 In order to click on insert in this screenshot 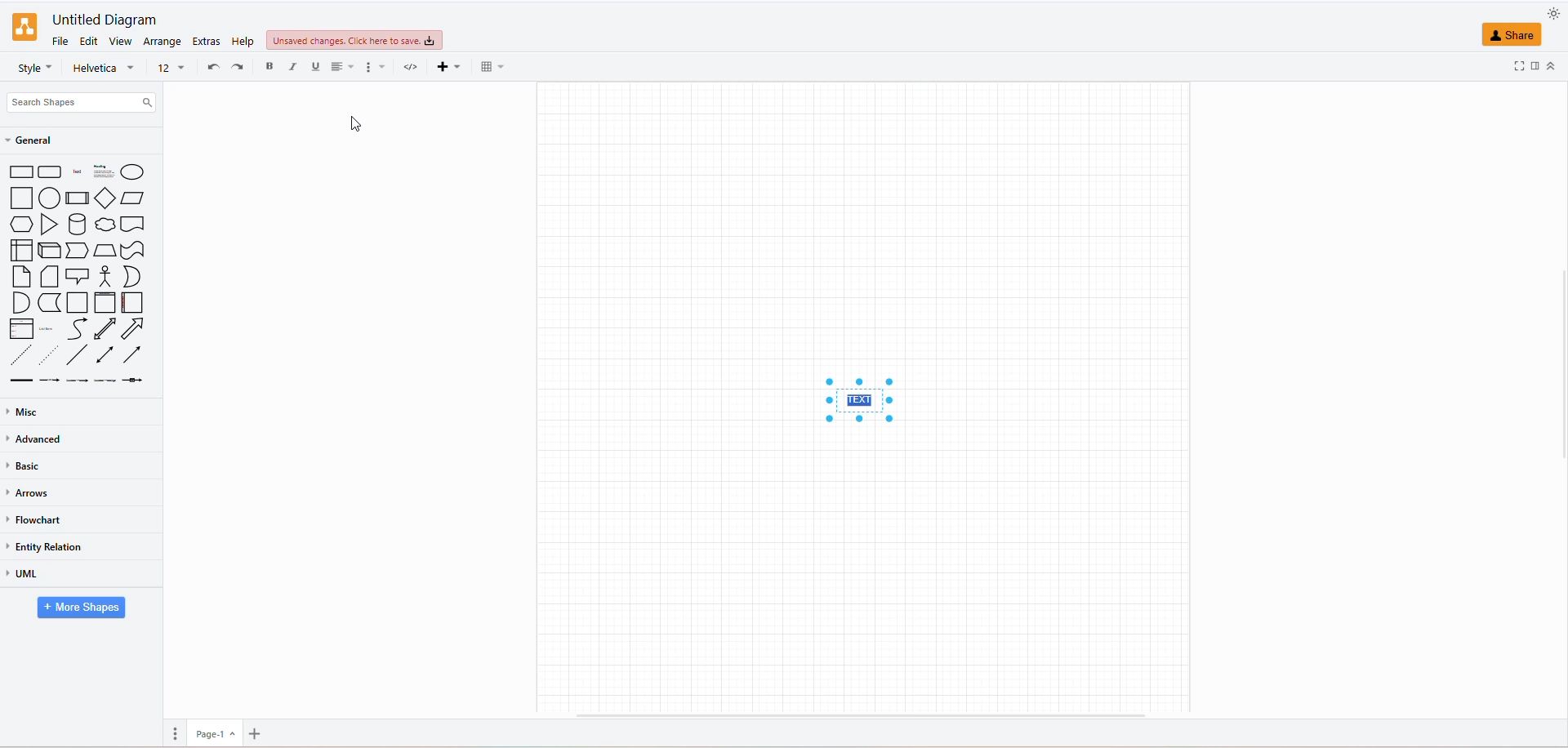, I will do `click(444, 65)`.